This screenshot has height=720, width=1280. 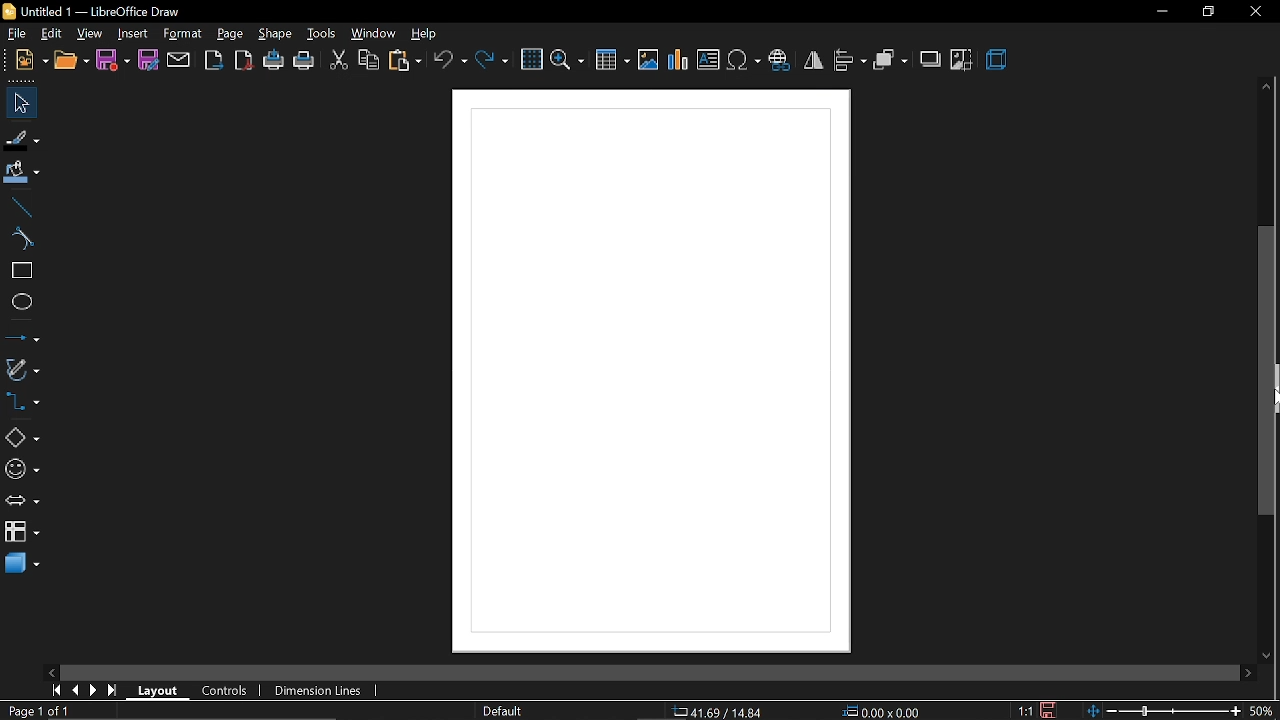 What do you see at coordinates (91, 692) in the screenshot?
I see `next page` at bounding box center [91, 692].